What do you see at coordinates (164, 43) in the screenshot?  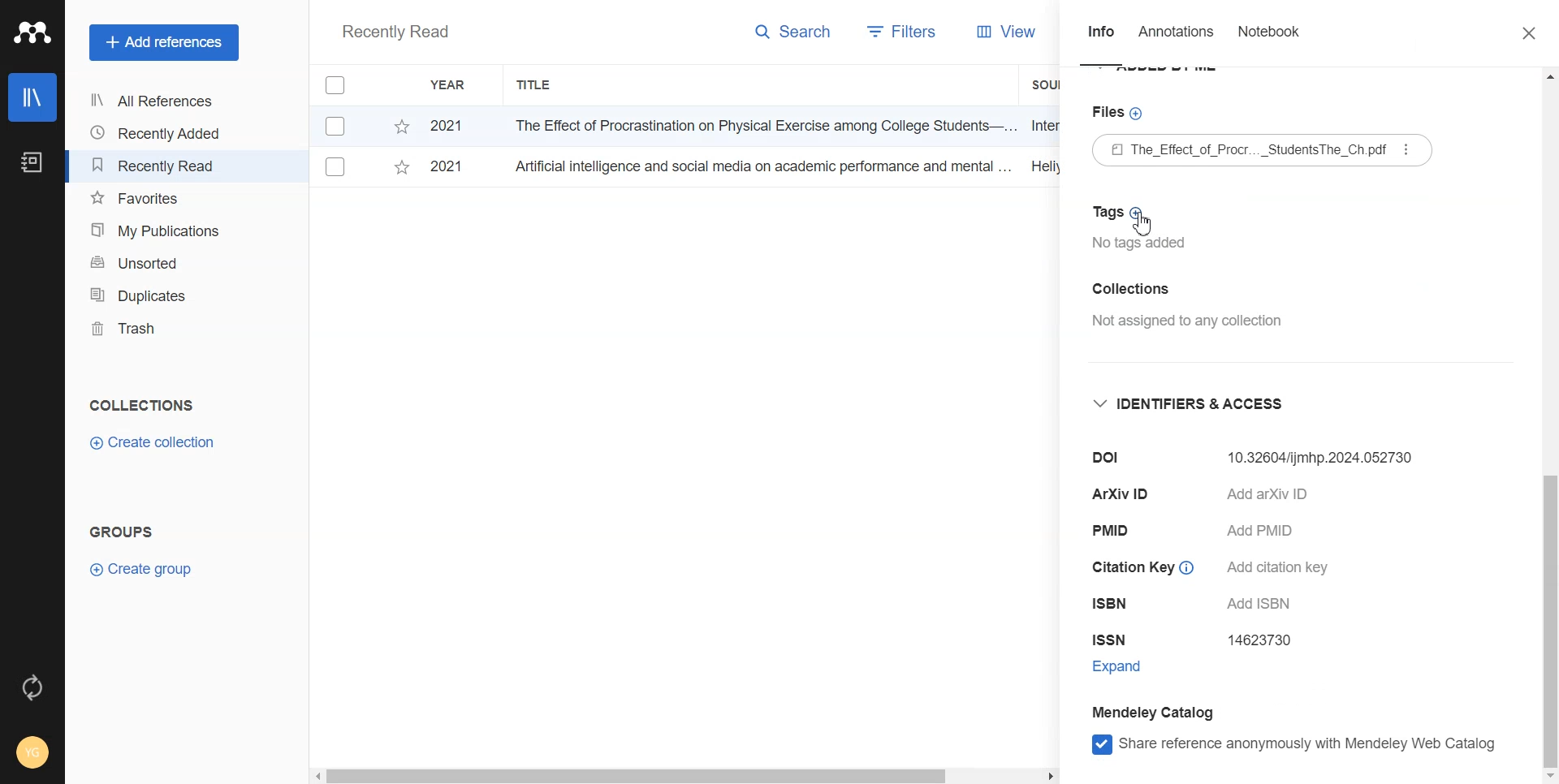 I see `Add references` at bounding box center [164, 43].